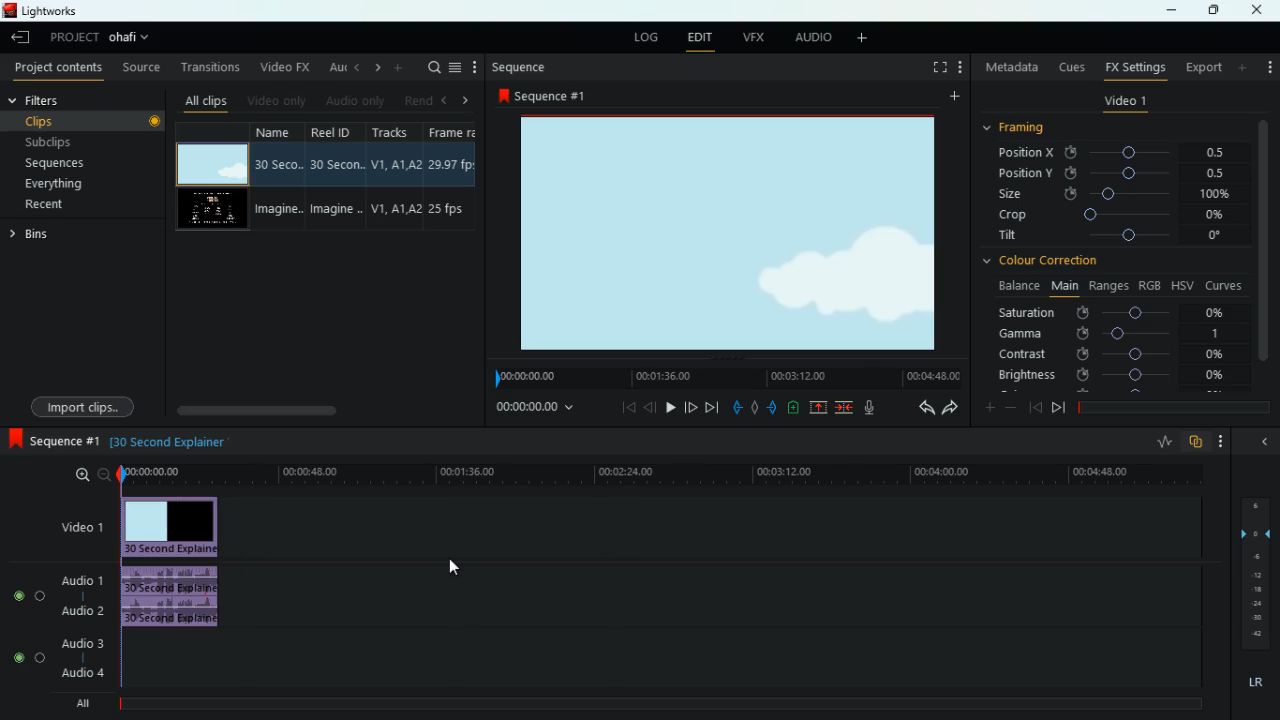 The height and width of the screenshot is (720, 1280). Describe the element at coordinates (772, 408) in the screenshot. I see `push` at that location.